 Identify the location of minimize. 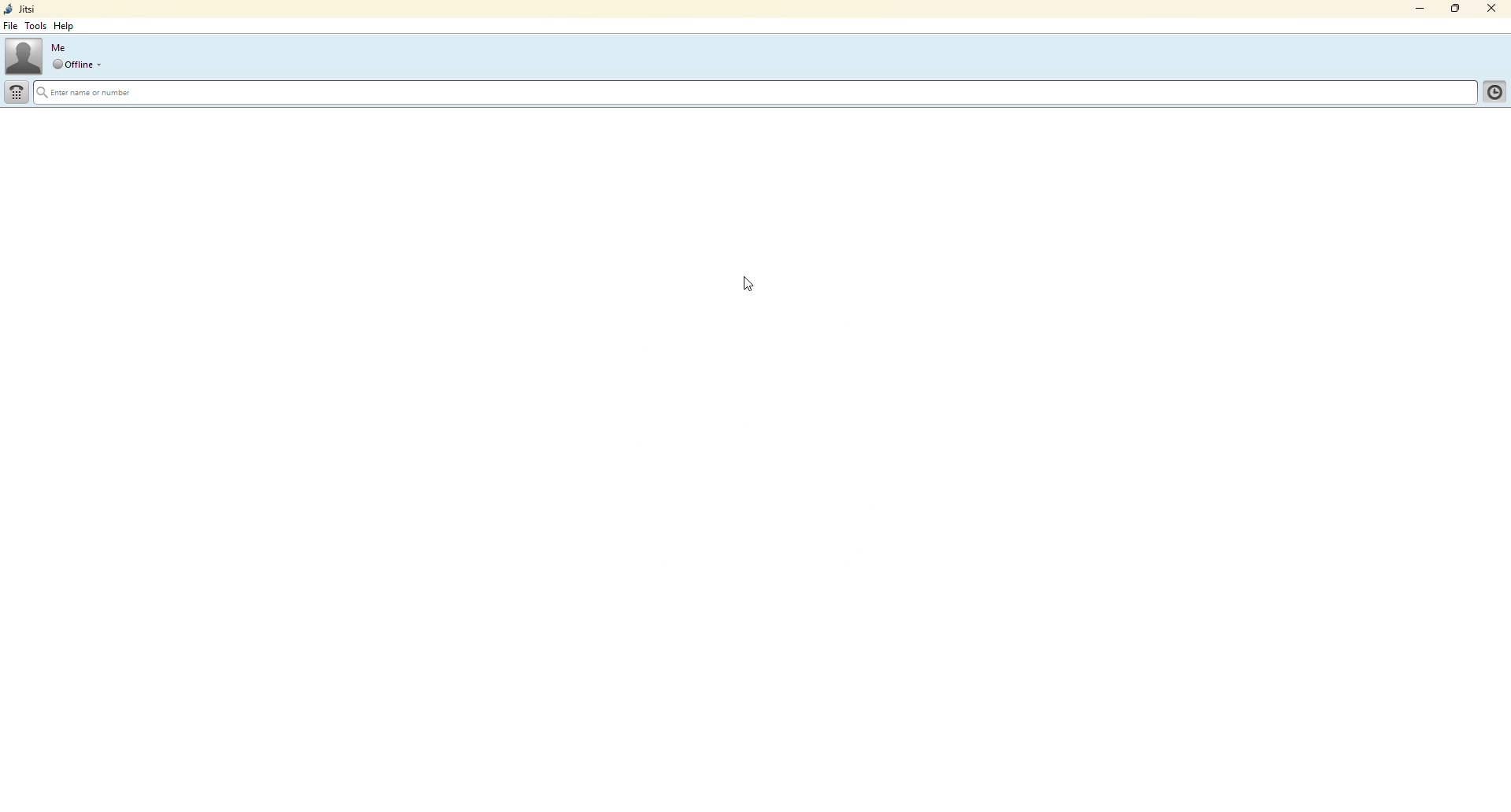
(1417, 9).